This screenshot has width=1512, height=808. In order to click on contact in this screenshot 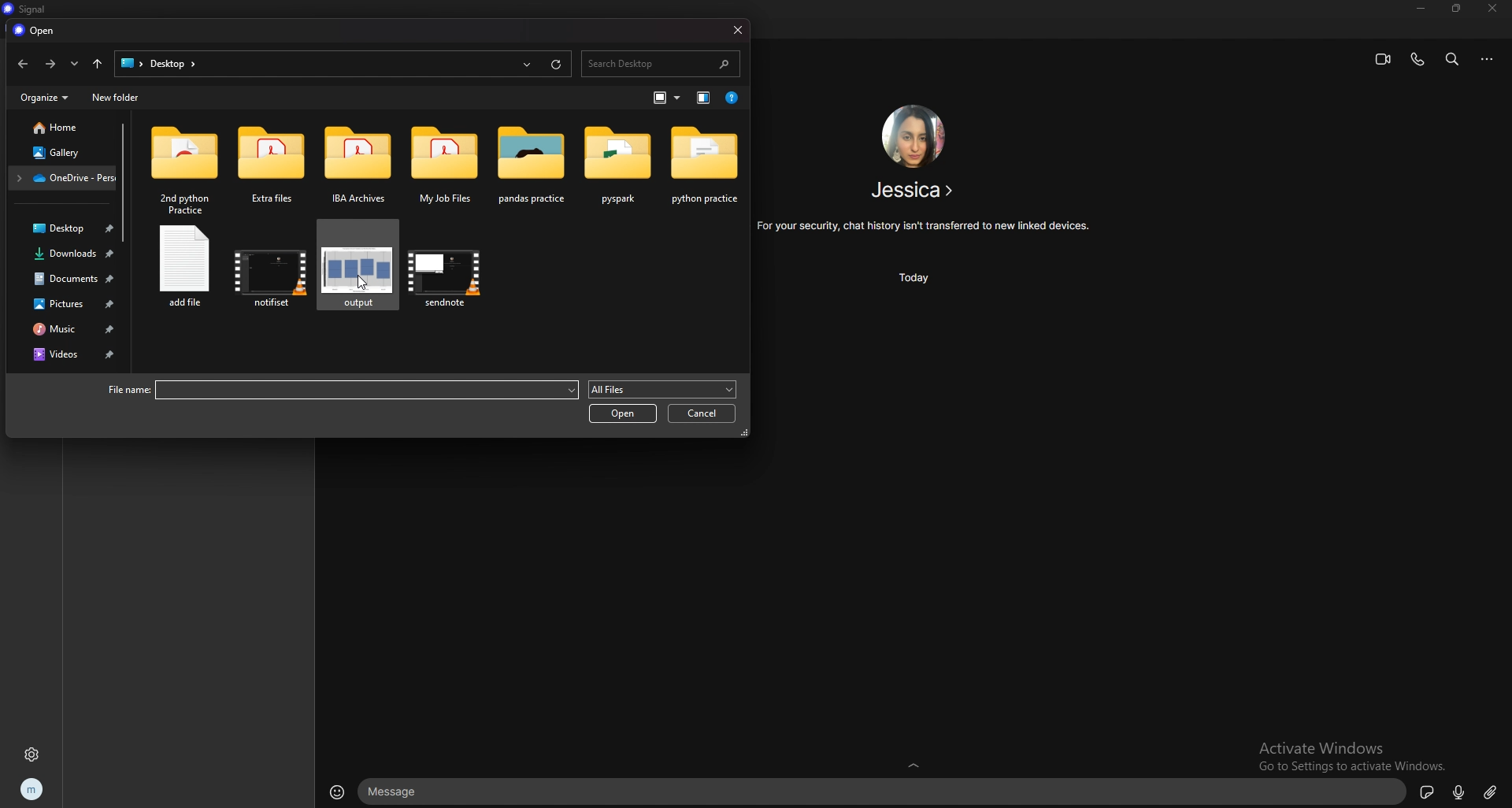, I will do `click(914, 190)`.